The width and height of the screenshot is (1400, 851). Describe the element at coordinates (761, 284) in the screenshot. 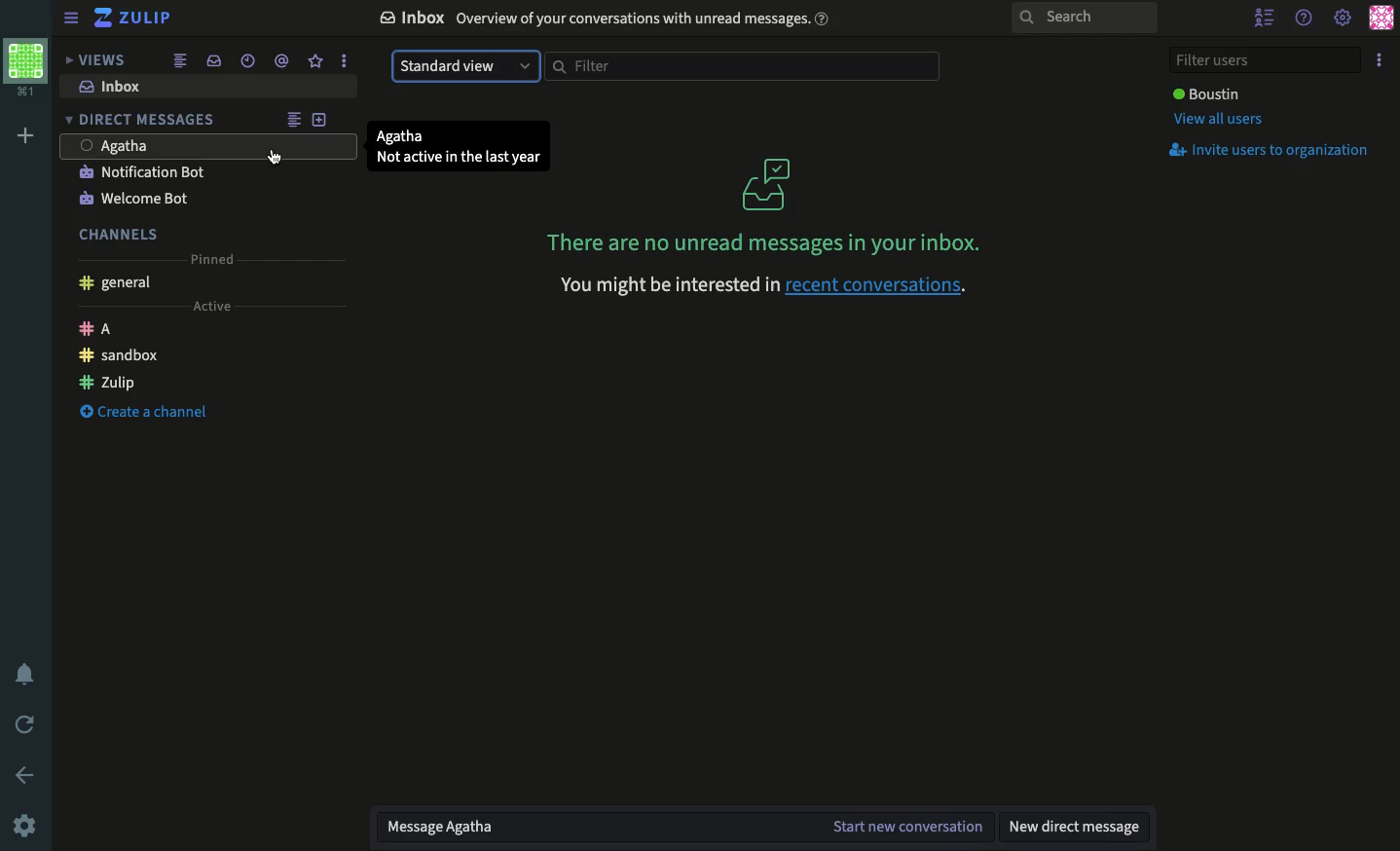

I see `recent conversations` at that location.